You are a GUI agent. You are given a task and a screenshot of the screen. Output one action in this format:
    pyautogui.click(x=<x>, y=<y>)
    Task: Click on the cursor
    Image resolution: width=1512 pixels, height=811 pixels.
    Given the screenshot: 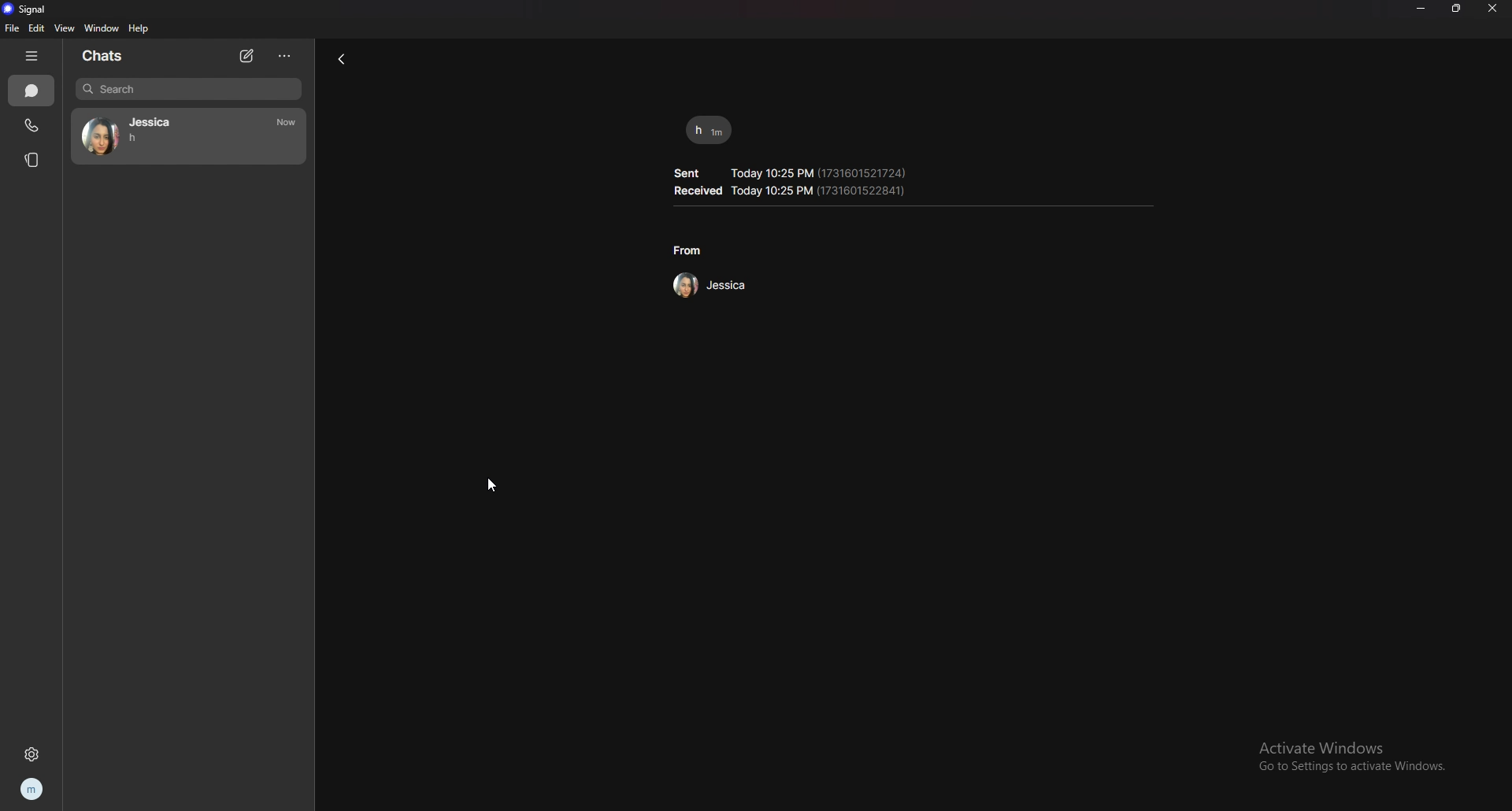 What is the action you would take?
    pyautogui.click(x=493, y=486)
    